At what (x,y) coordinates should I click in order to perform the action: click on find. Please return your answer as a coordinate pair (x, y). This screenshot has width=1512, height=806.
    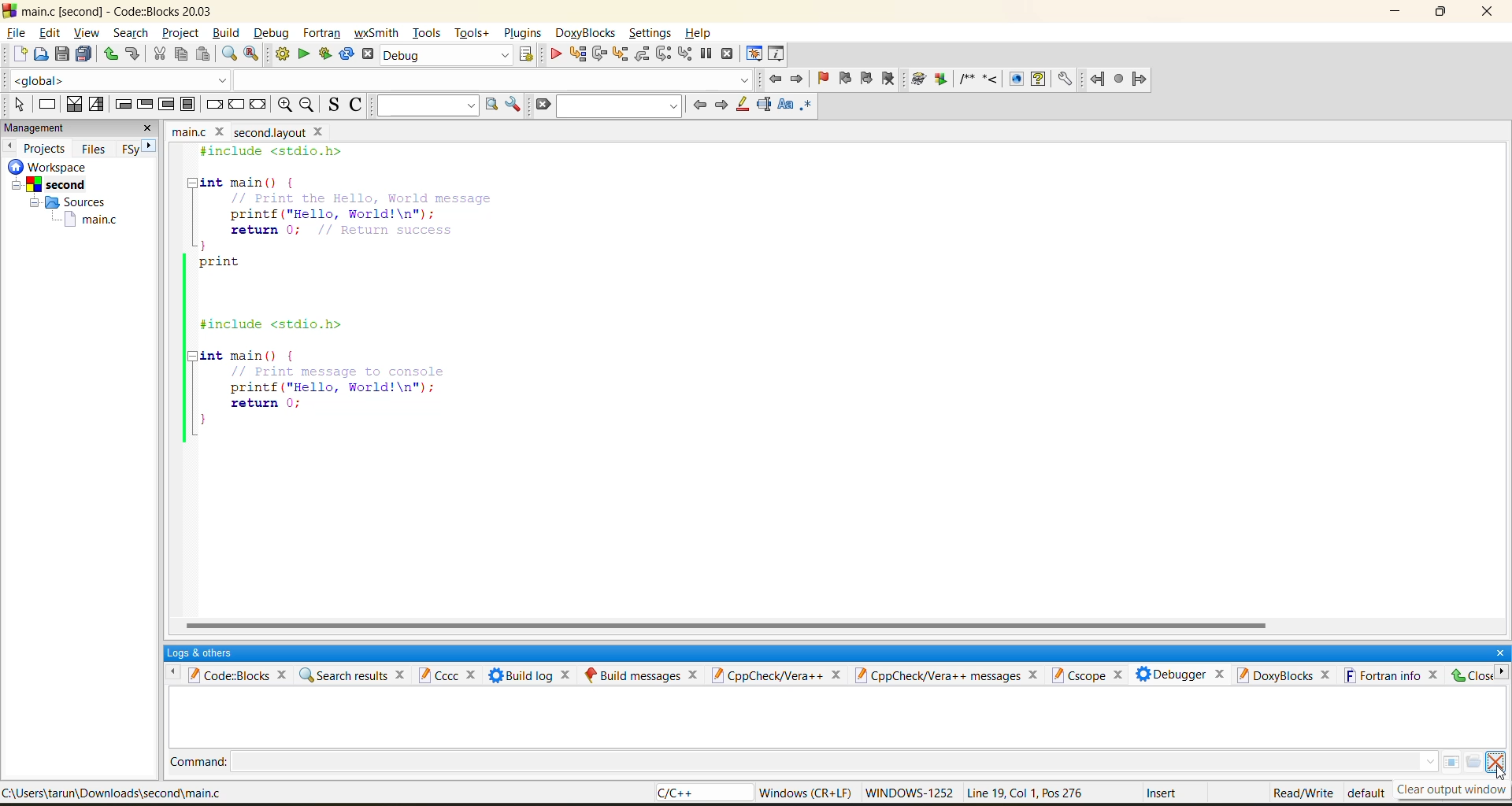
    Looking at the image, I should click on (227, 56).